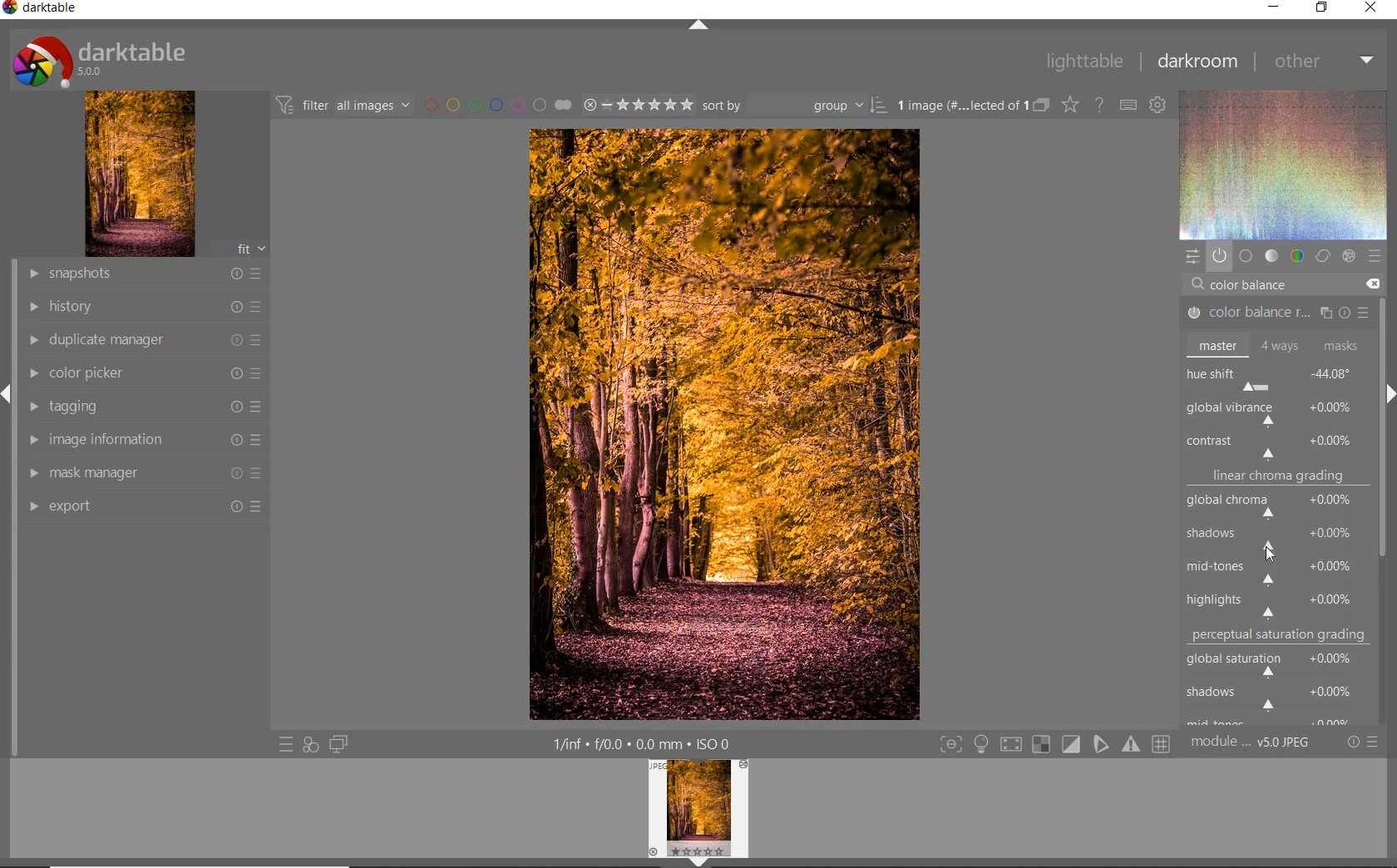 The width and height of the screenshot is (1397, 868). What do you see at coordinates (1051, 744) in the screenshot?
I see `toggle modes` at bounding box center [1051, 744].